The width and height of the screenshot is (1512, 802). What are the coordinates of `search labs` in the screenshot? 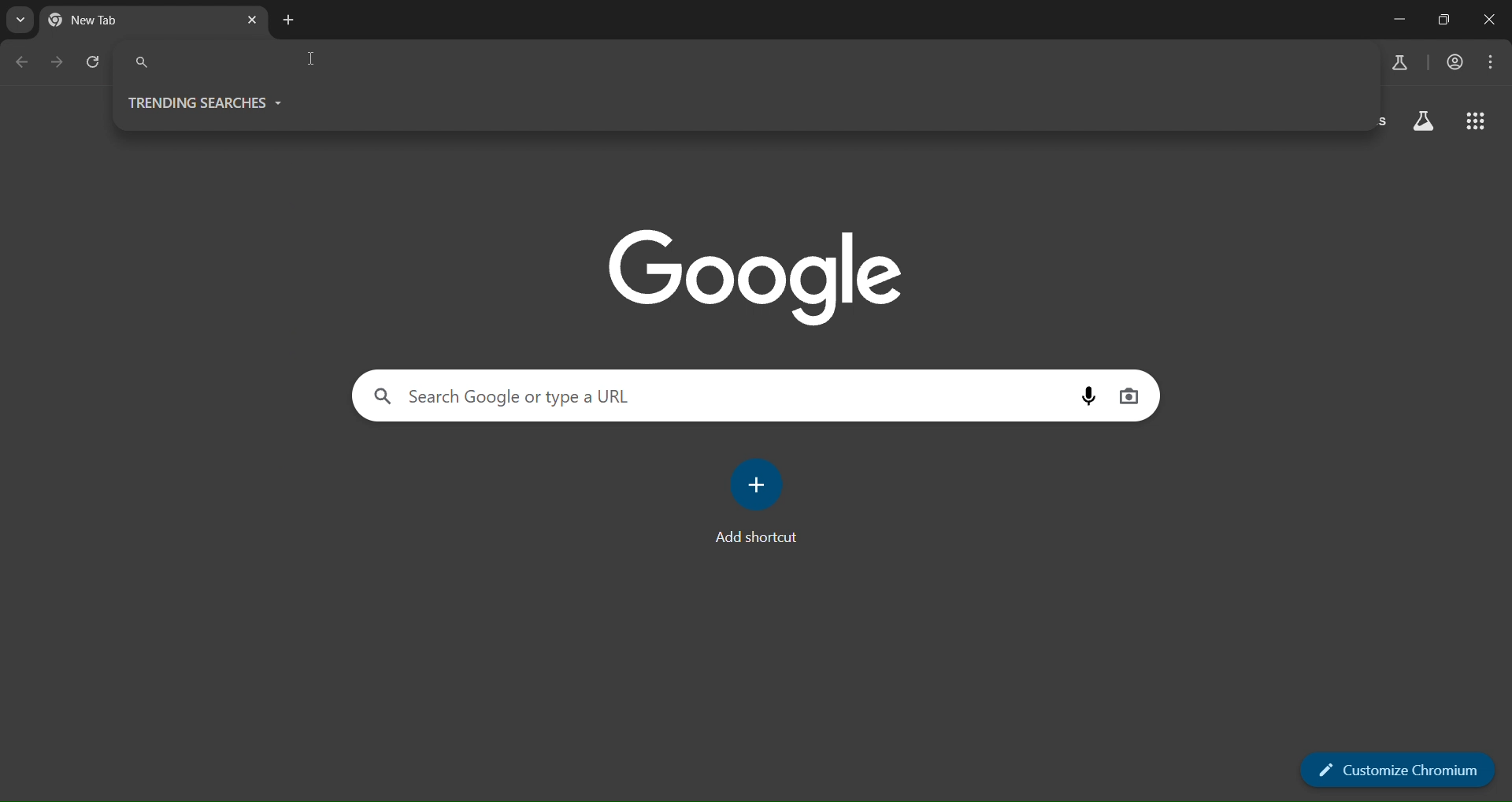 It's located at (1399, 62).